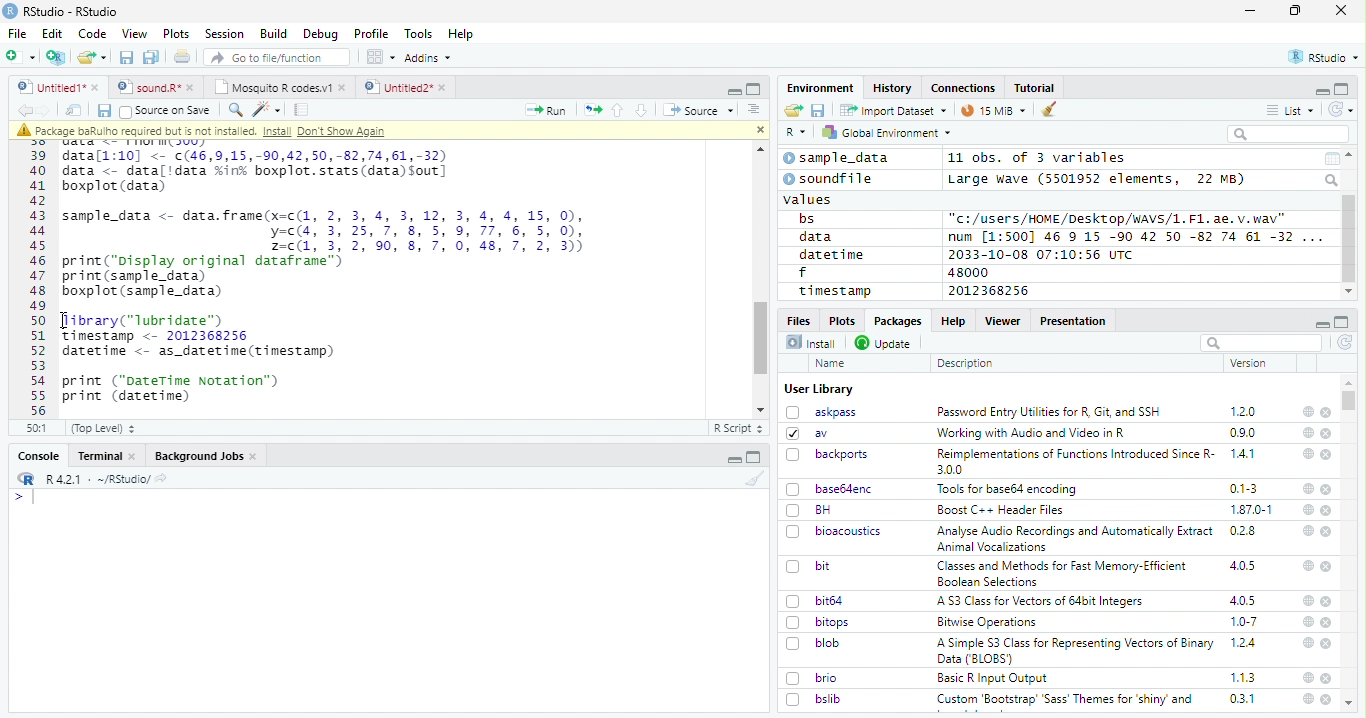 This screenshot has width=1366, height=718. I want to click on Packages, so click(896, 321).